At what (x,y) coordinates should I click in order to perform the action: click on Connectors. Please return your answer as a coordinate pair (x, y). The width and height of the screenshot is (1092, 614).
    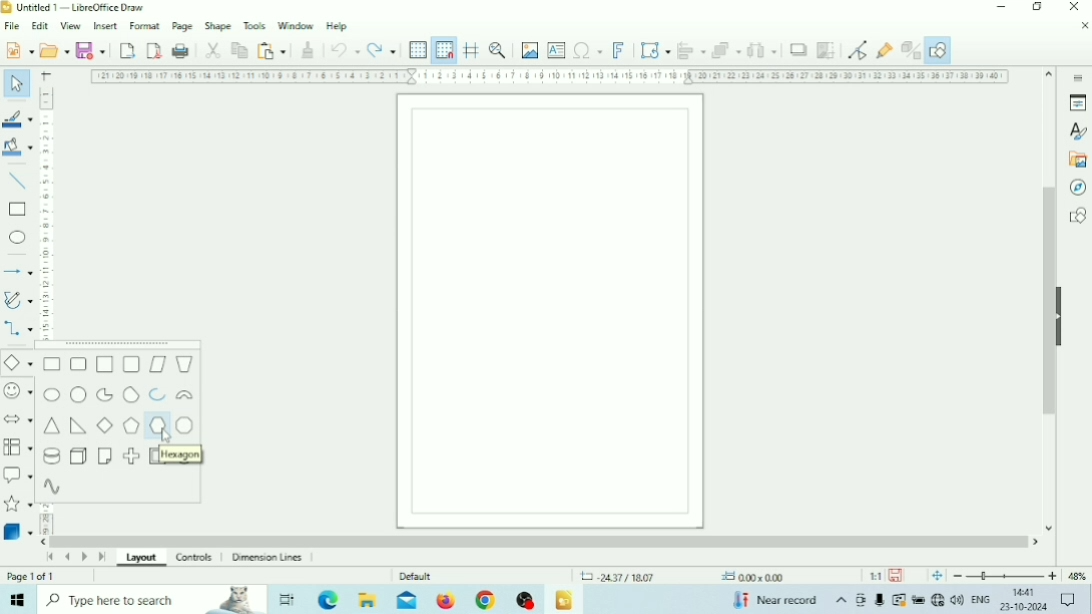
    Looking at the image, I should click on (18, 330).